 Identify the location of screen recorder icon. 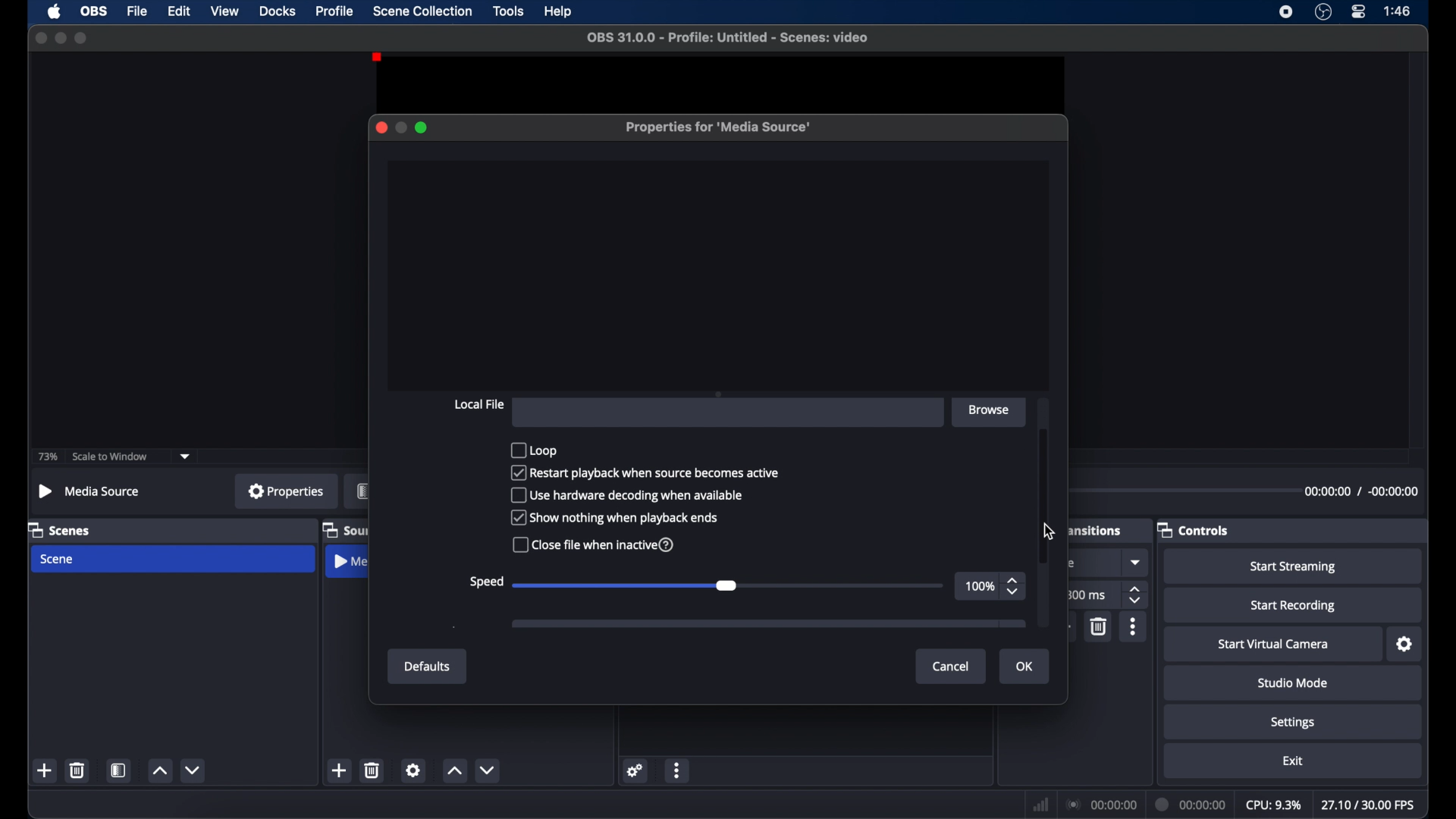
(1286, 12).